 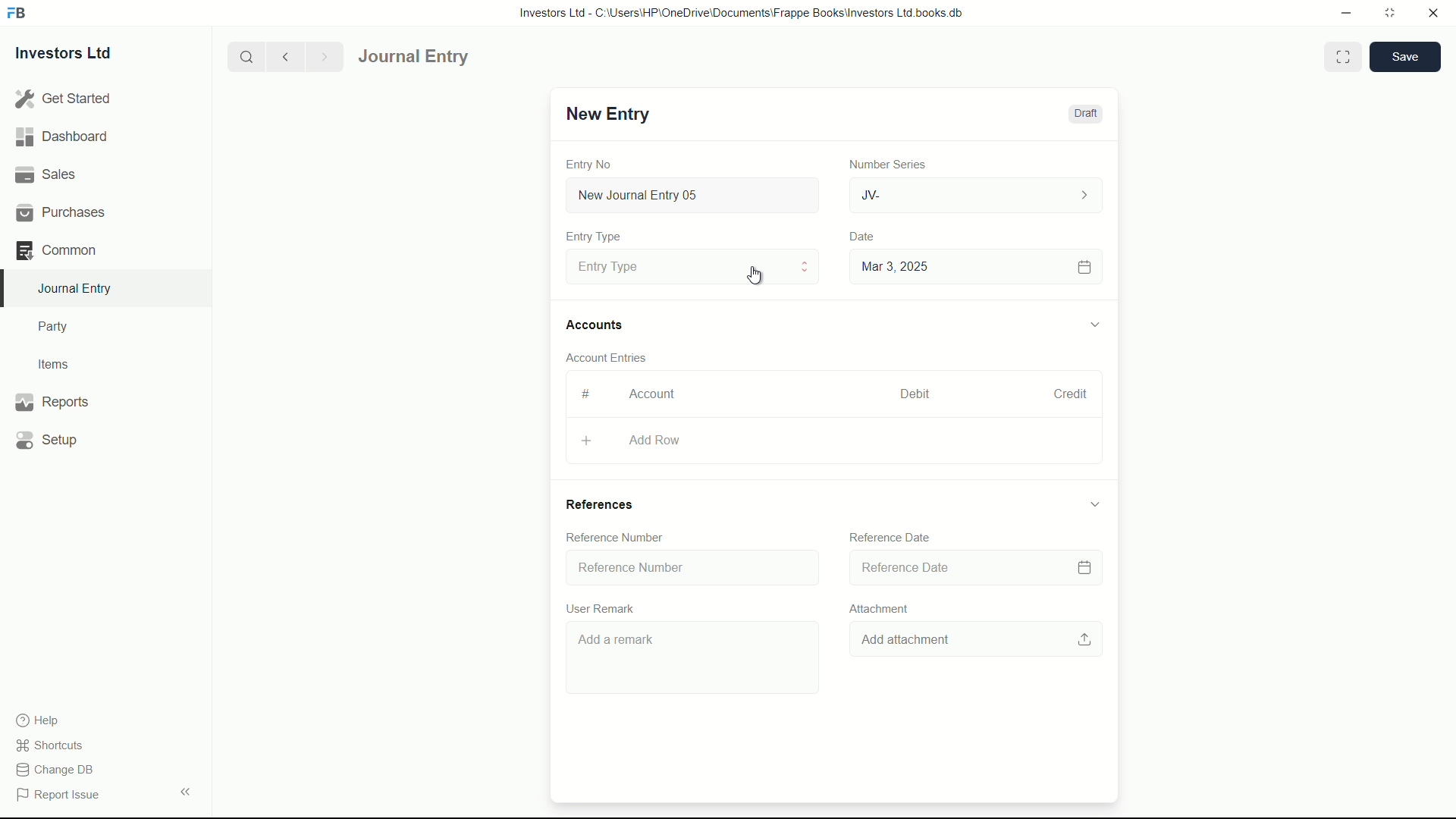 I want to click on expand/collapse, so click(x=185, y=790).